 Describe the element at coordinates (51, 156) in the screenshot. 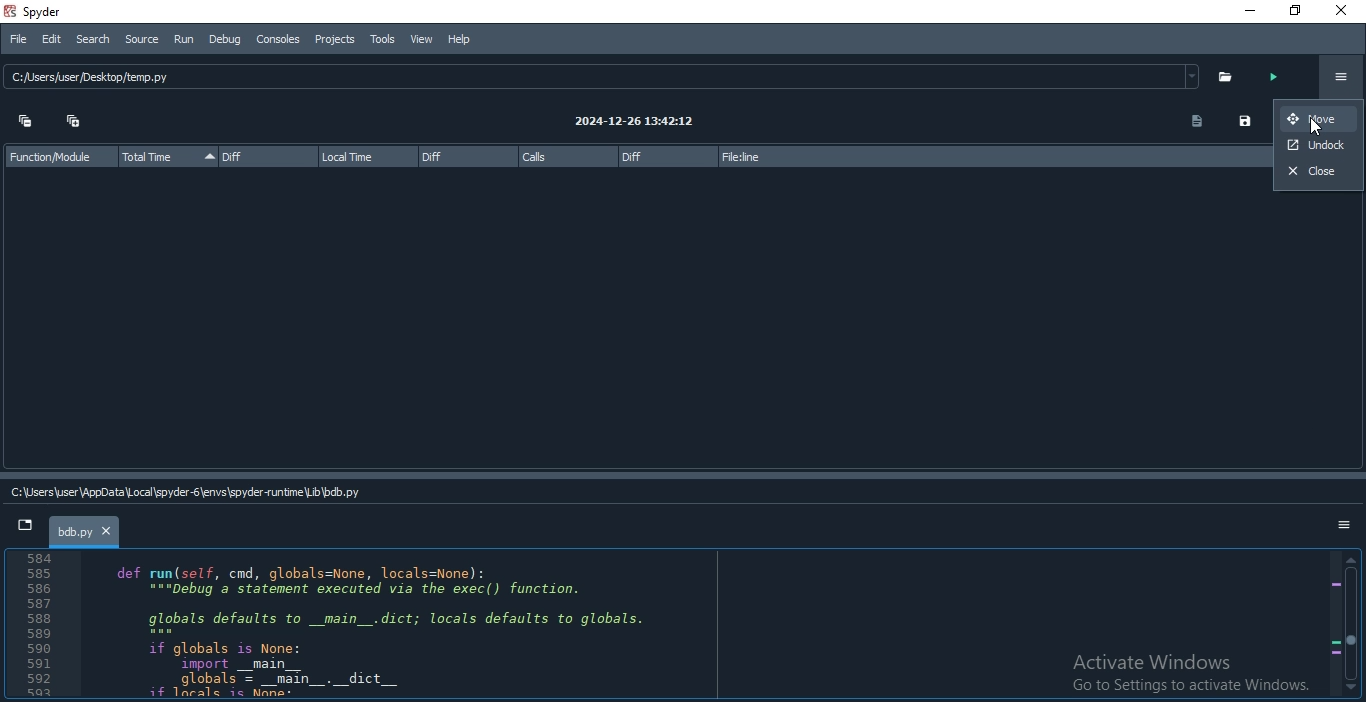

I see `Function Module` at that location.